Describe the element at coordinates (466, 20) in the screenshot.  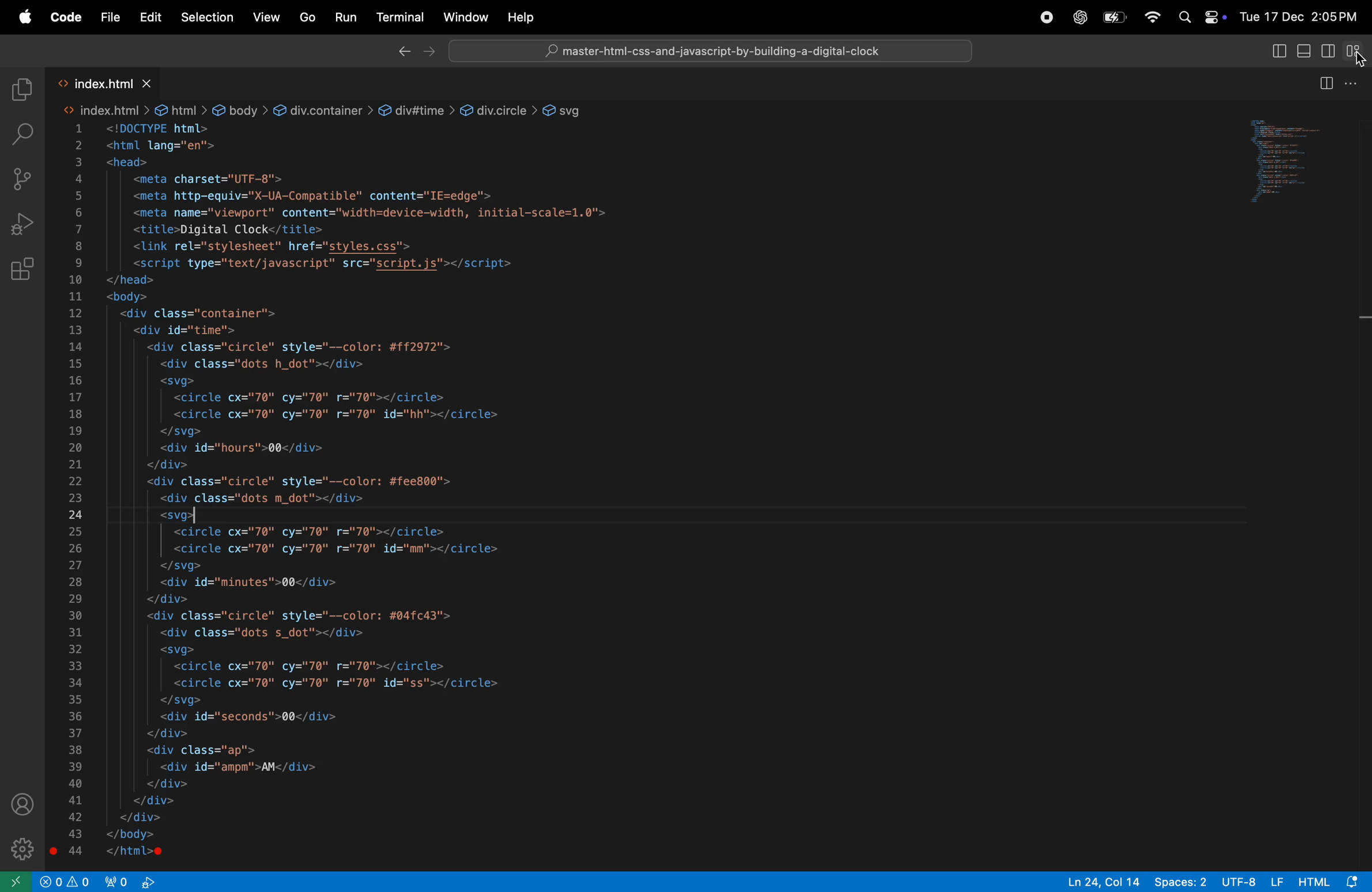
I see `window` at that location.